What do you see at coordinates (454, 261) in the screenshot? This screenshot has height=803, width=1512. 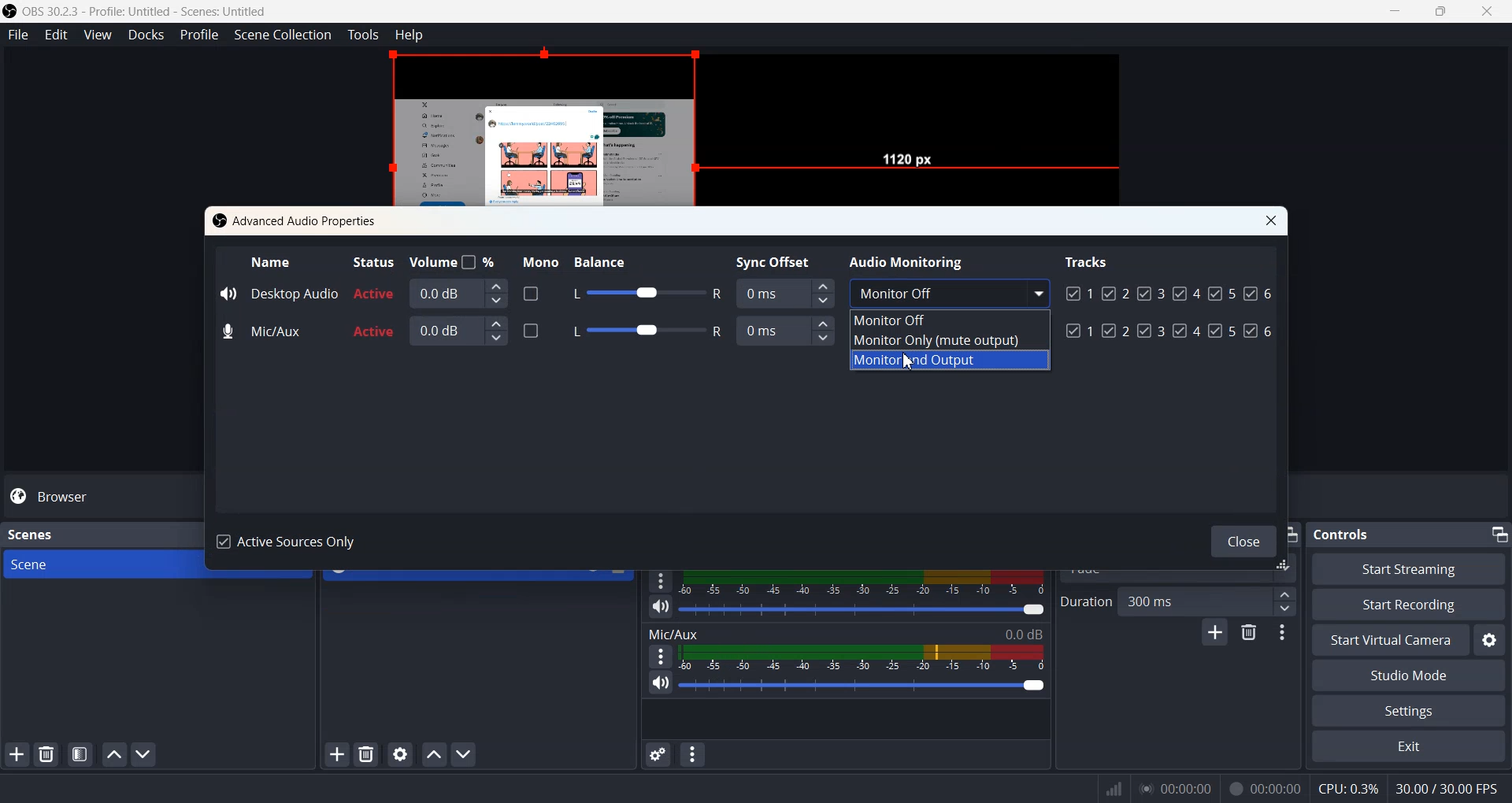 I see `Volume` at bounding box center [454, 261].